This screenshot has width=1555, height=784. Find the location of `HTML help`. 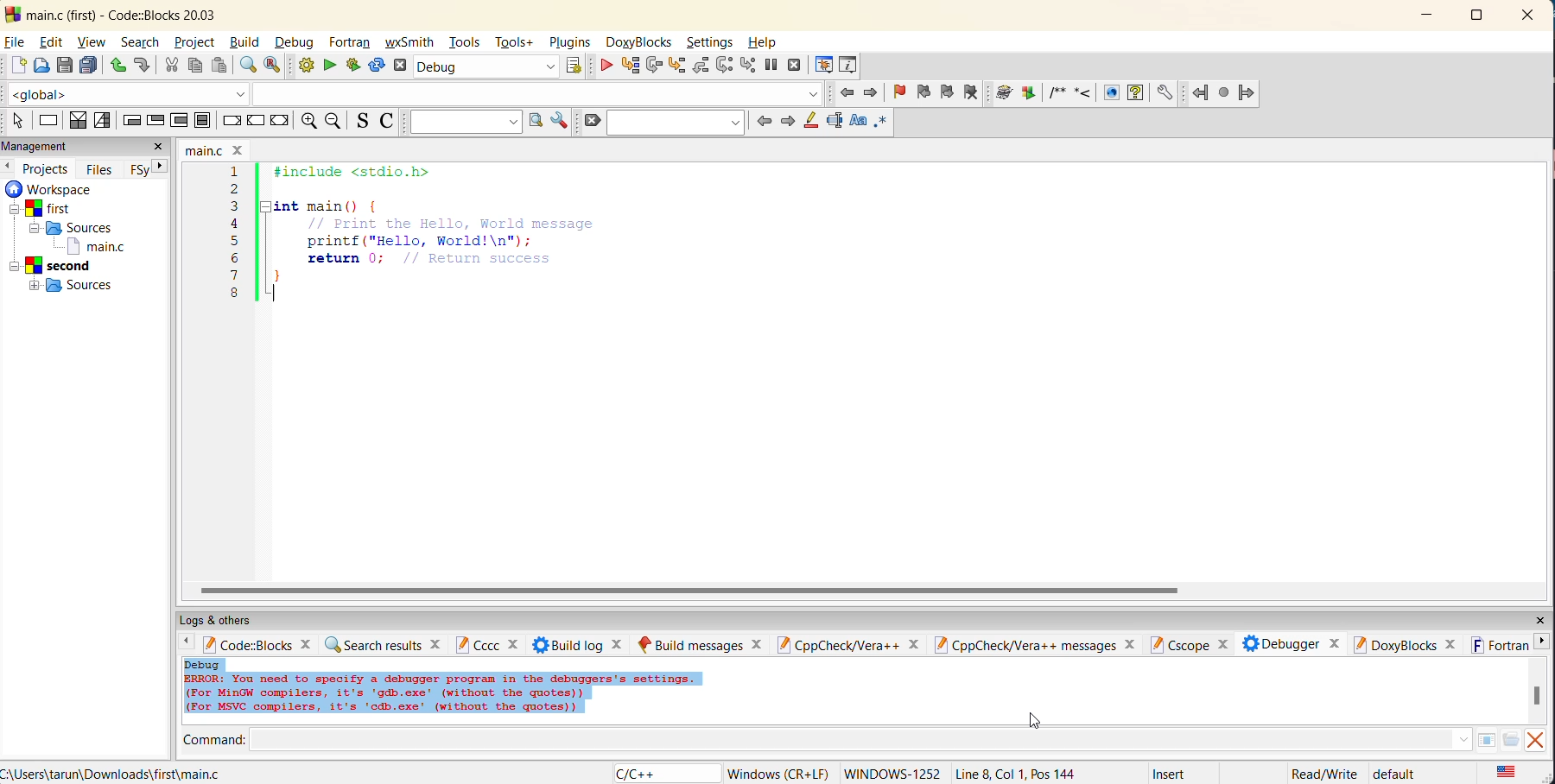

HTML help is located at coordinates (1135, 92).